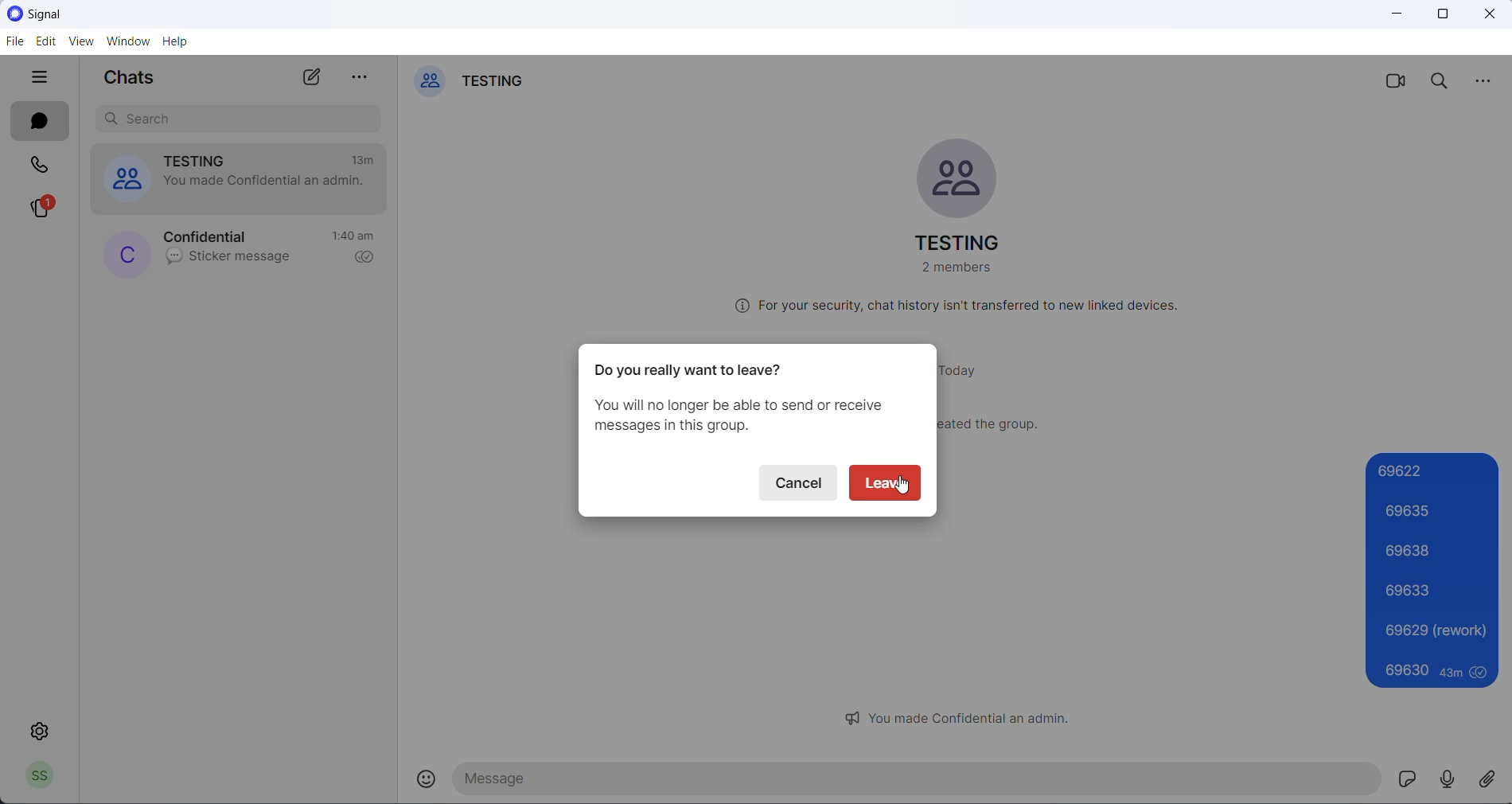 The width and height of the screenshot is (1512, 804). I want to click on settings, so click(39, 732).